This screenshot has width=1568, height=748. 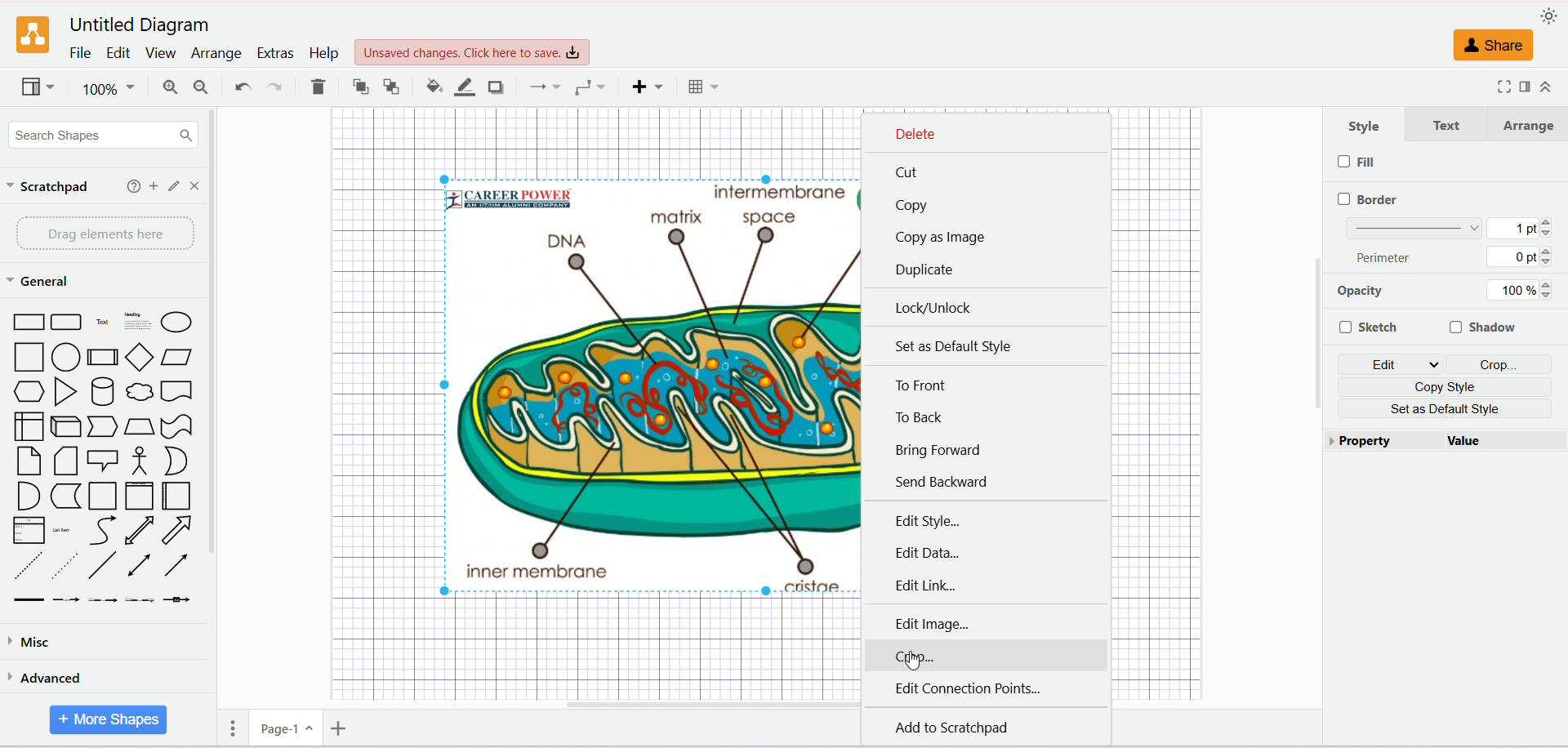 What do you see at coordinates (176, 428) in the screenshot?
I see `Tape` at bounding box center [176, 428].